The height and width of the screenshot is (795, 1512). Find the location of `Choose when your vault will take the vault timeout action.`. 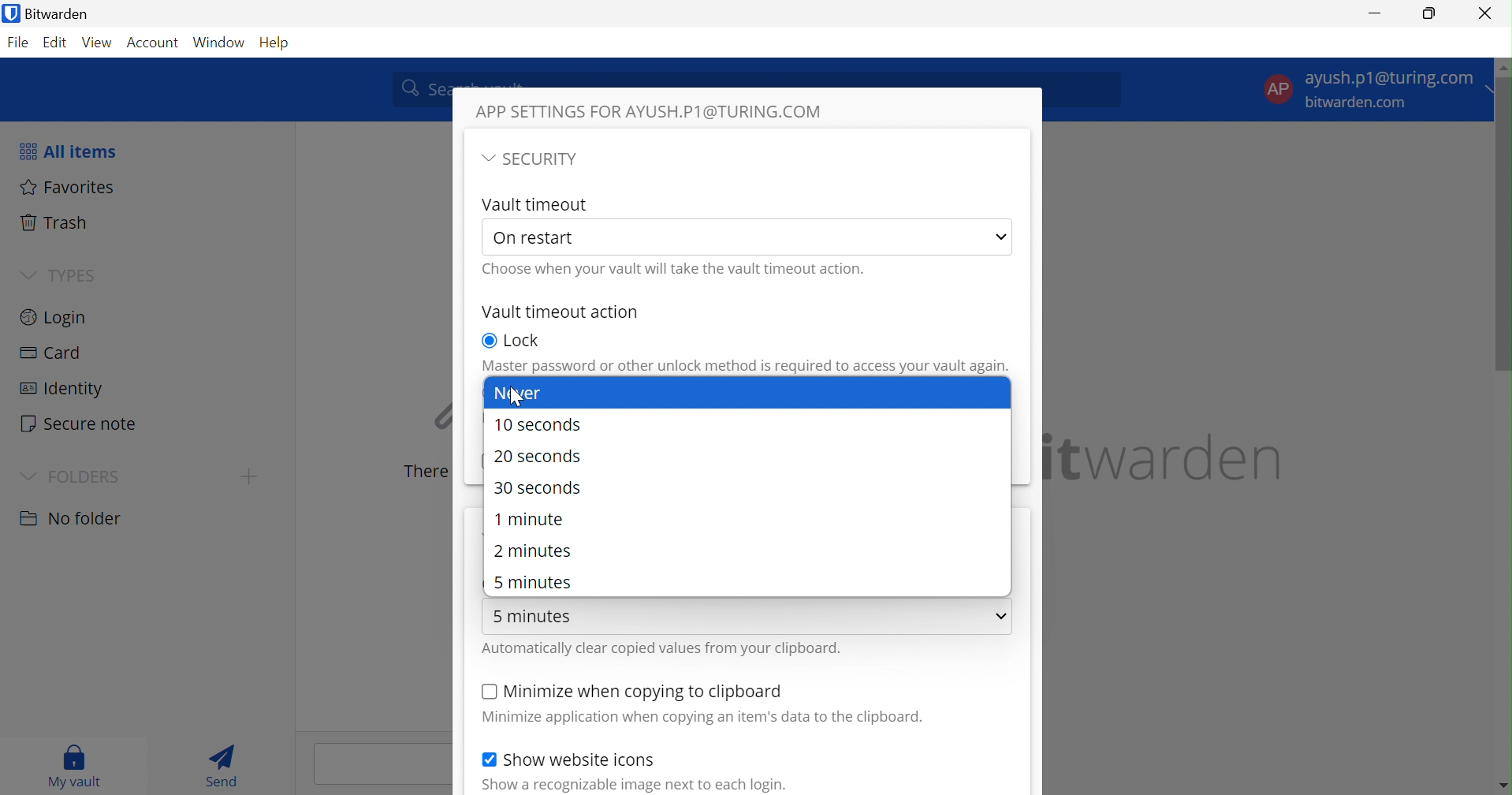

Choose when your vault will take the vault timeout action. is located at coordinates (675, 269).